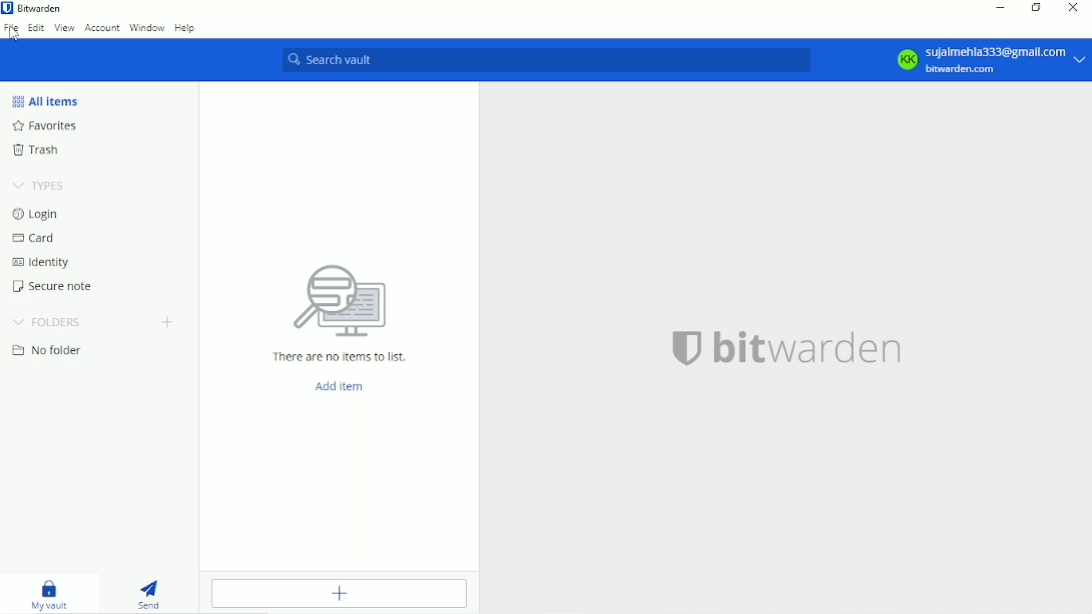  What do you see at coordinates (37, 239) in the screenshot?
I see `Card` at bounding box center [37, 239].